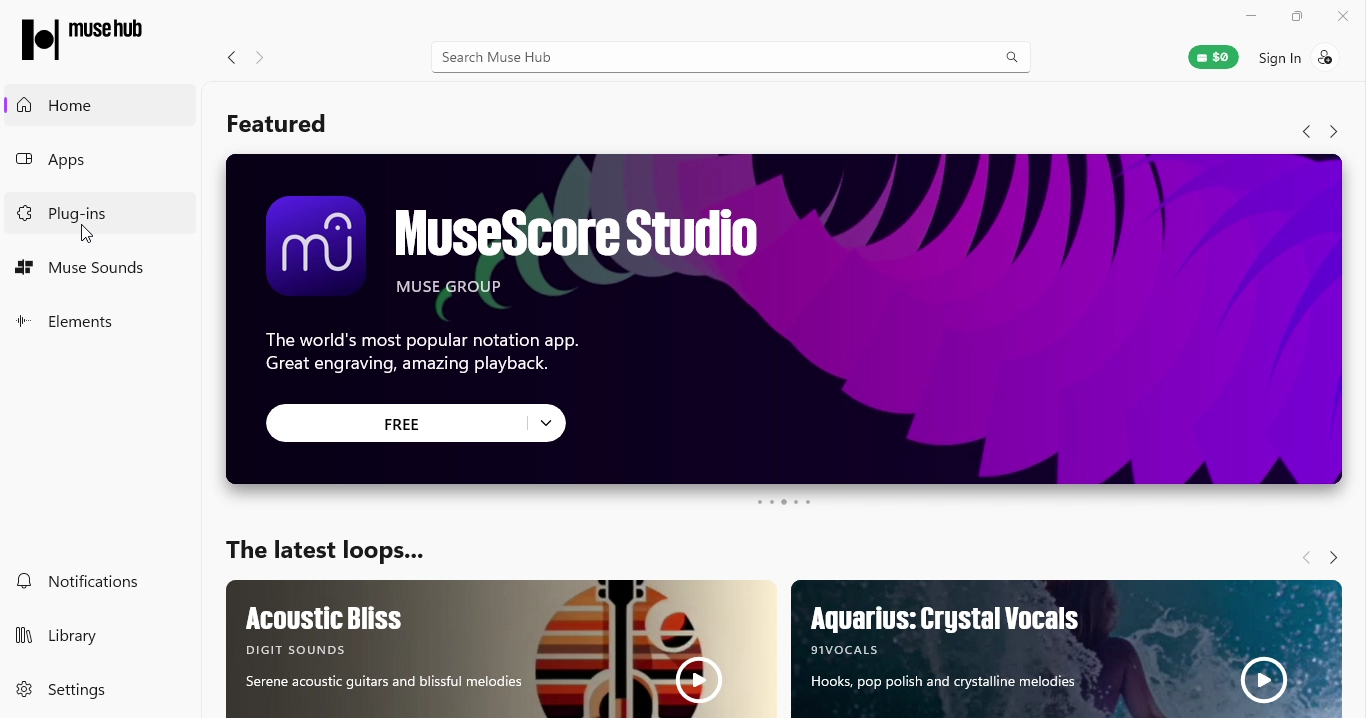 The width and height of the screenshot is (1366, 718). Describe the element at coordinates (740, 62) in the screenshot. I see `Search bar` at that location.